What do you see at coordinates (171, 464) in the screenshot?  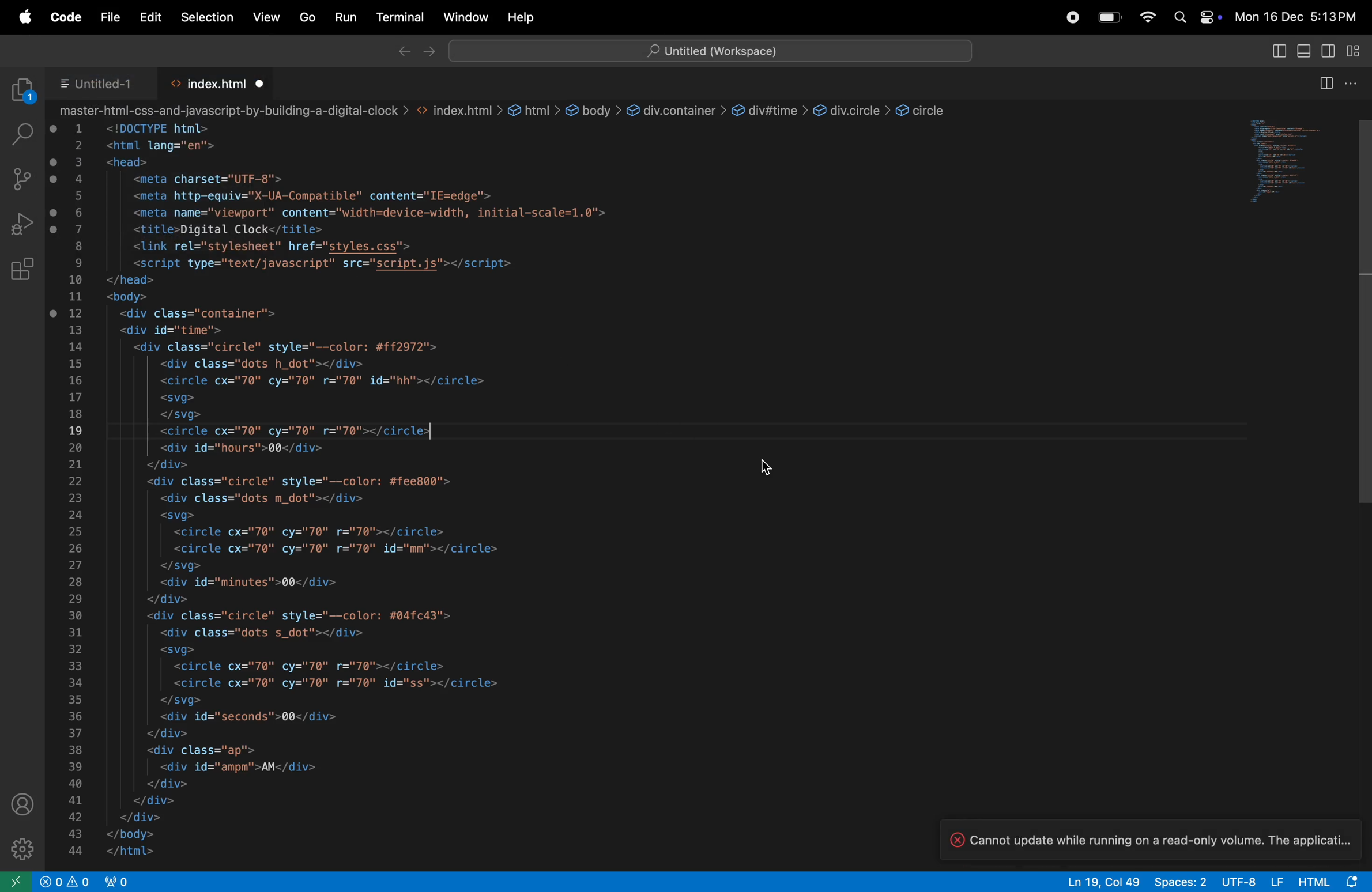 I see `</div>` at bounding box center [171, 464].